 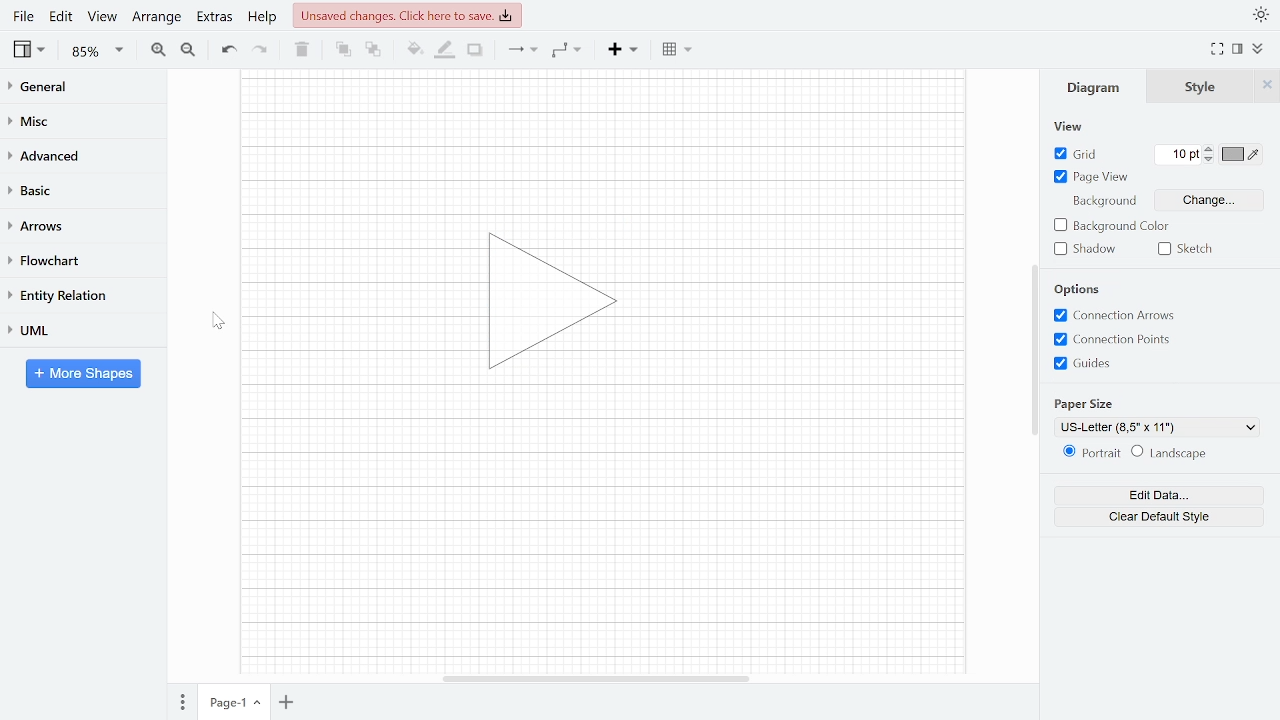 I want to click on color, so click(x=1242, y=153).